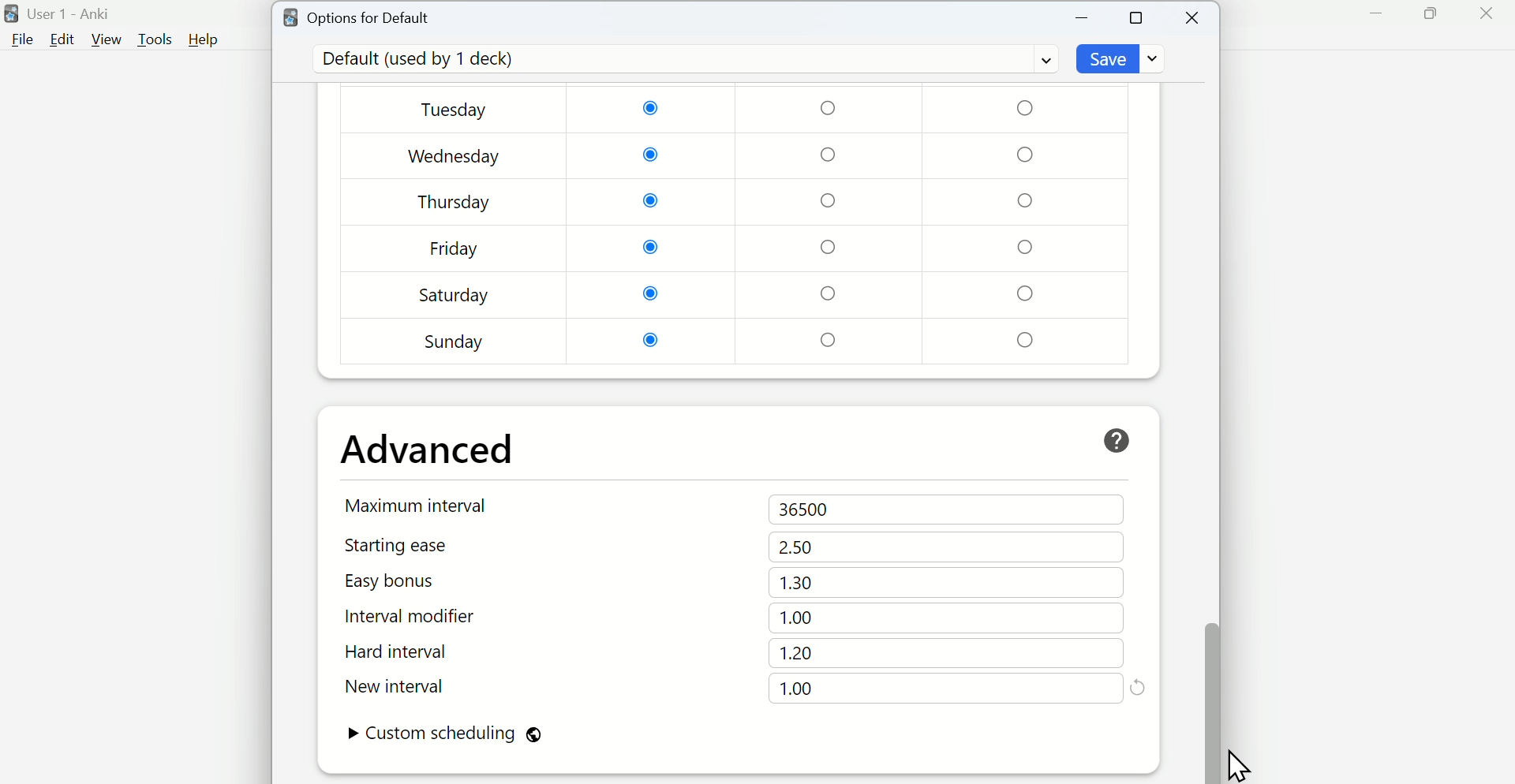 This screenshot has width=1515, height=784. What do you see at coordinates (796, 689) in the screenshot?
I see `1.00` at bounding box center [796, 689].